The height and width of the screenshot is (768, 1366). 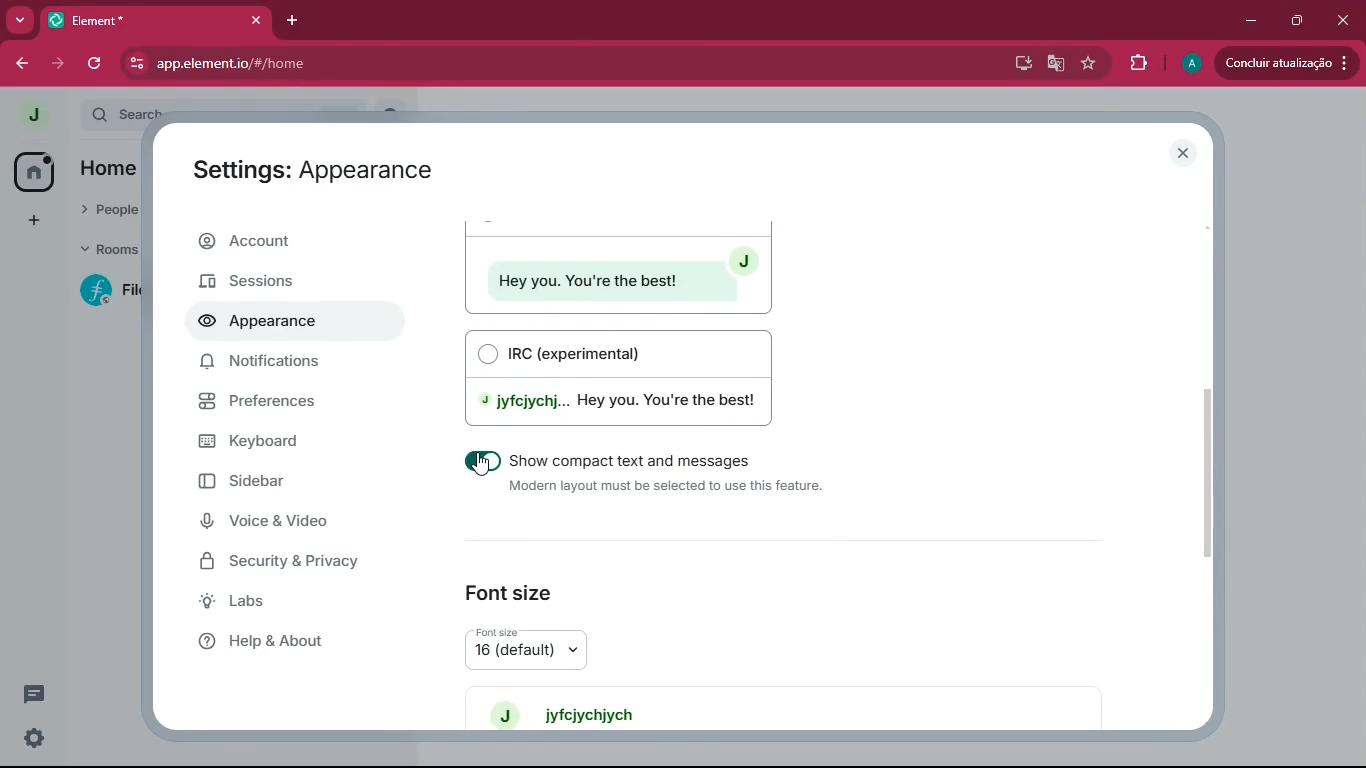 I want to click on notifications, so click(x=285, y=367).